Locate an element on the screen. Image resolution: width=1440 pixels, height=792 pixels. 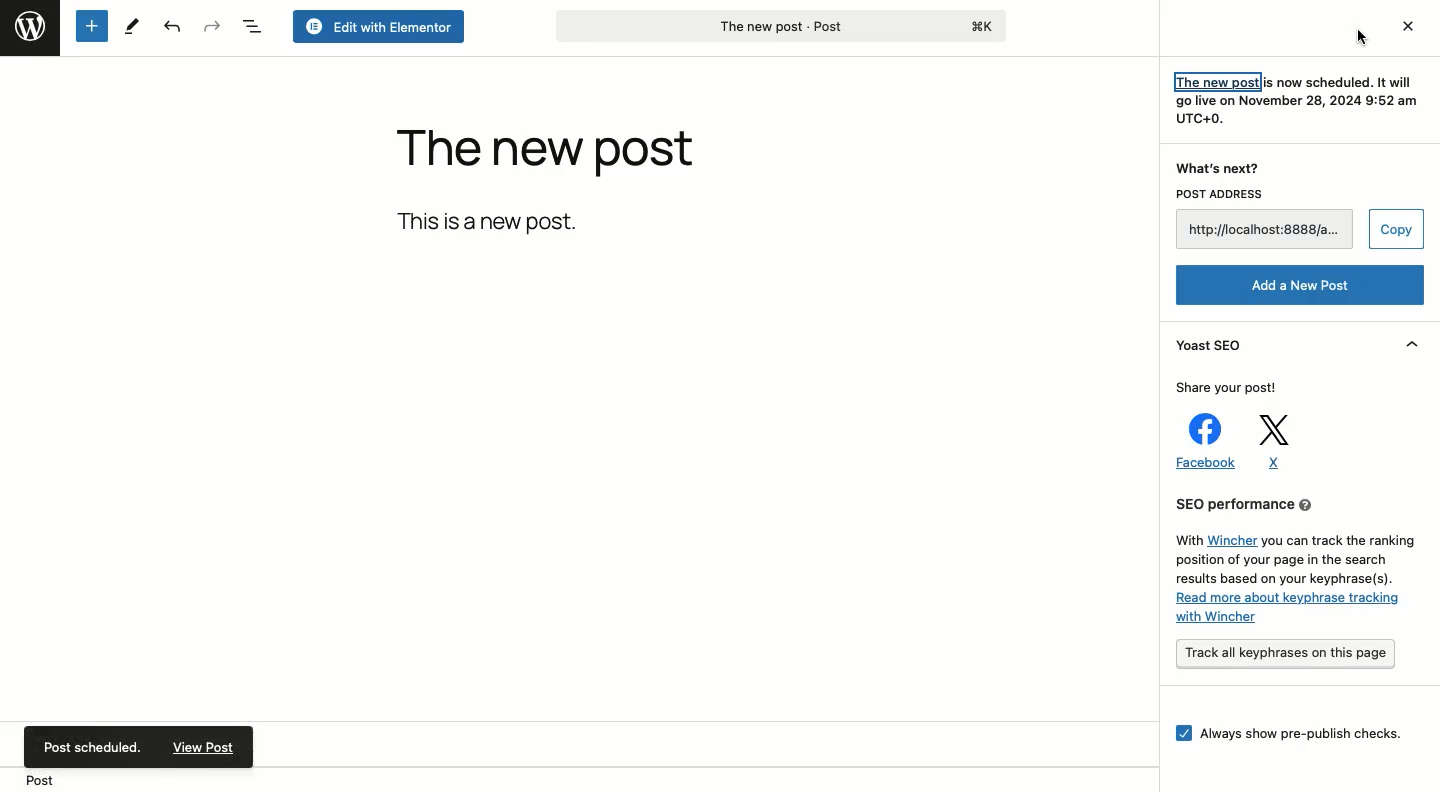
Cursor is located at coordinates (1358, 38).